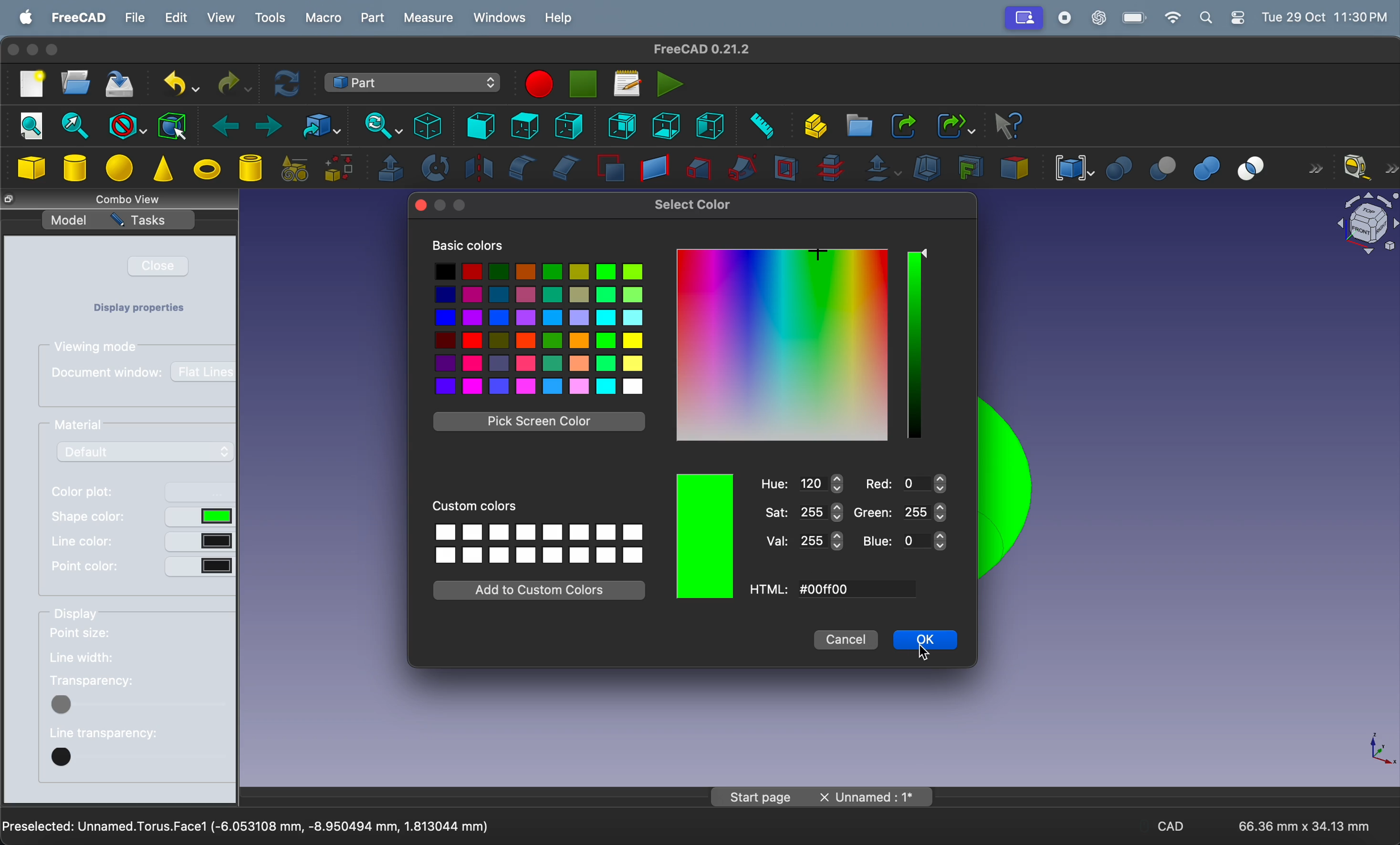 Image resolution: width=1400 pixels, height=845 pixels. I want to click on thickness , so click(927, 167).